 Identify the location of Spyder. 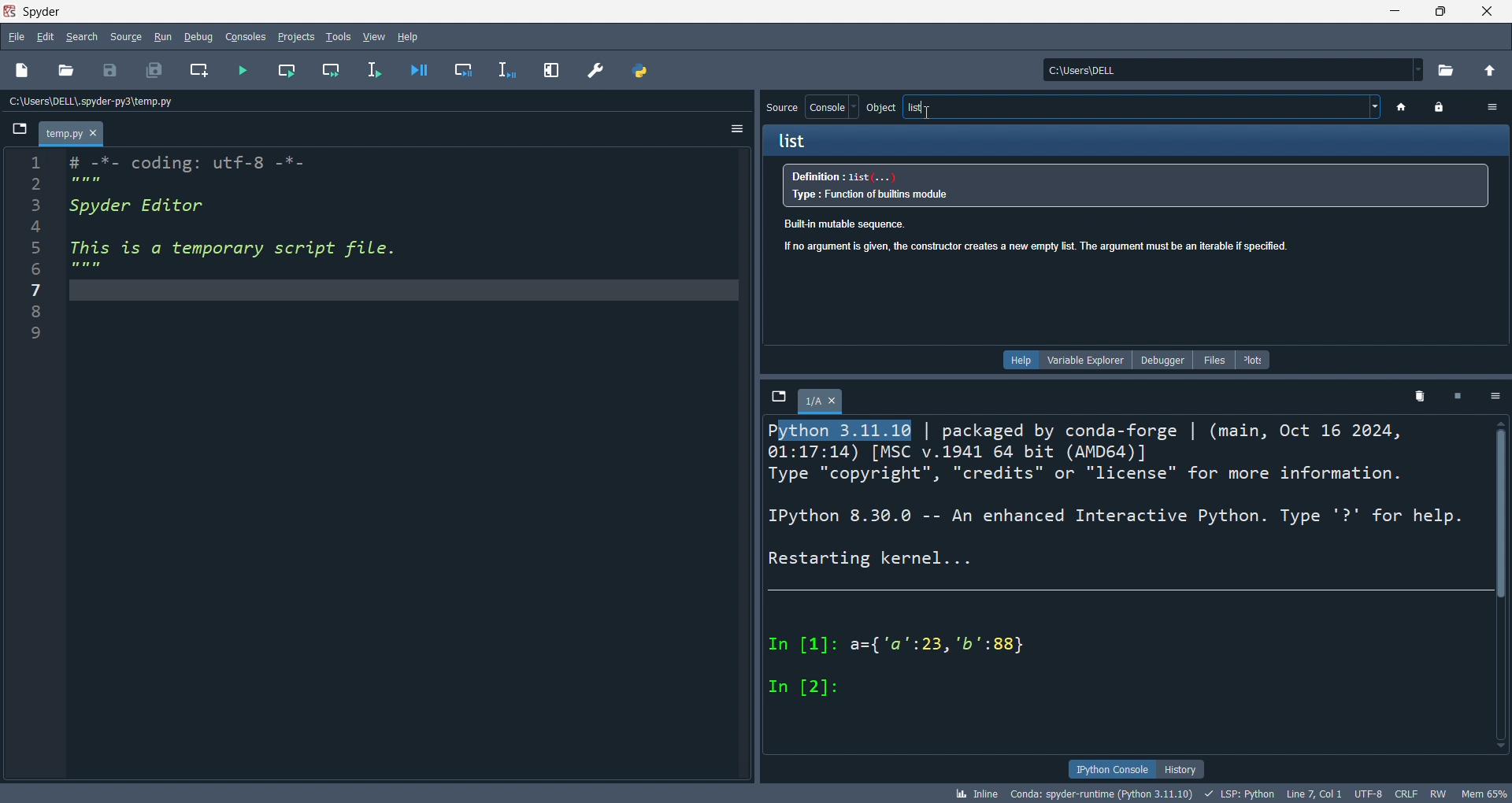
(40, 11).